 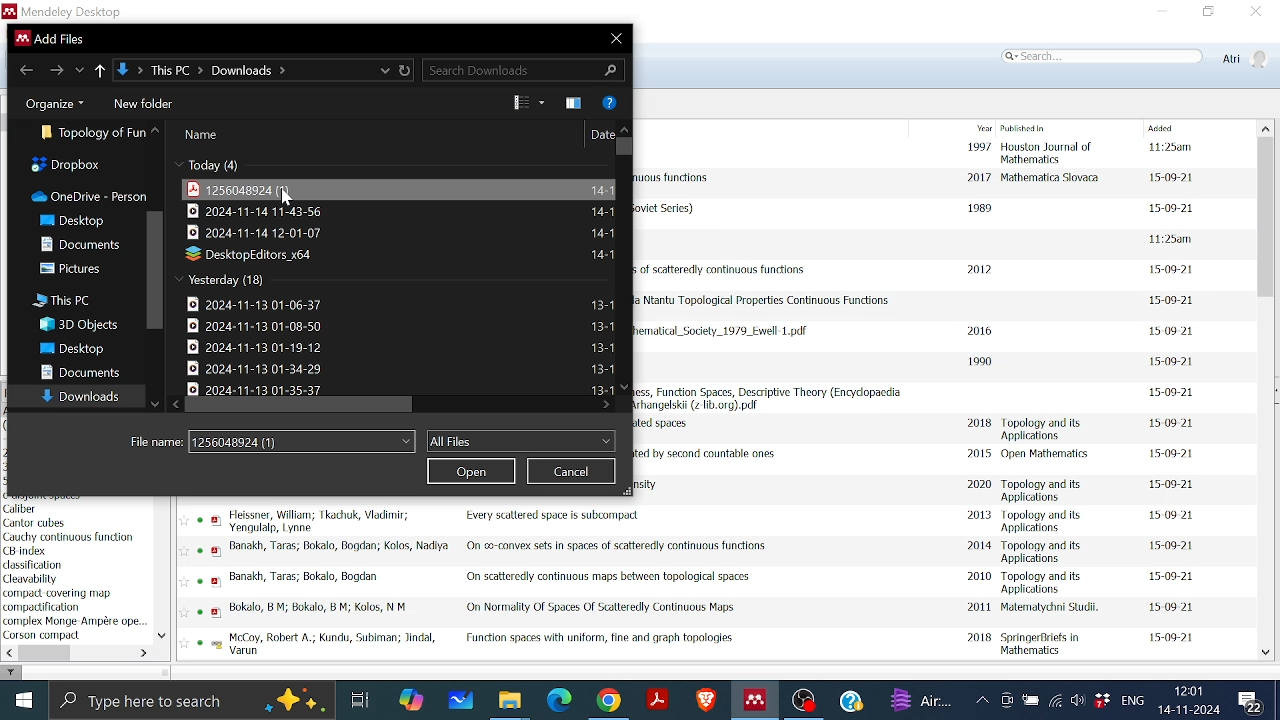 What do you see at coordinates (1042, 429) in the screenshot?
I see `Published in` at bounding box center [1042, 429].